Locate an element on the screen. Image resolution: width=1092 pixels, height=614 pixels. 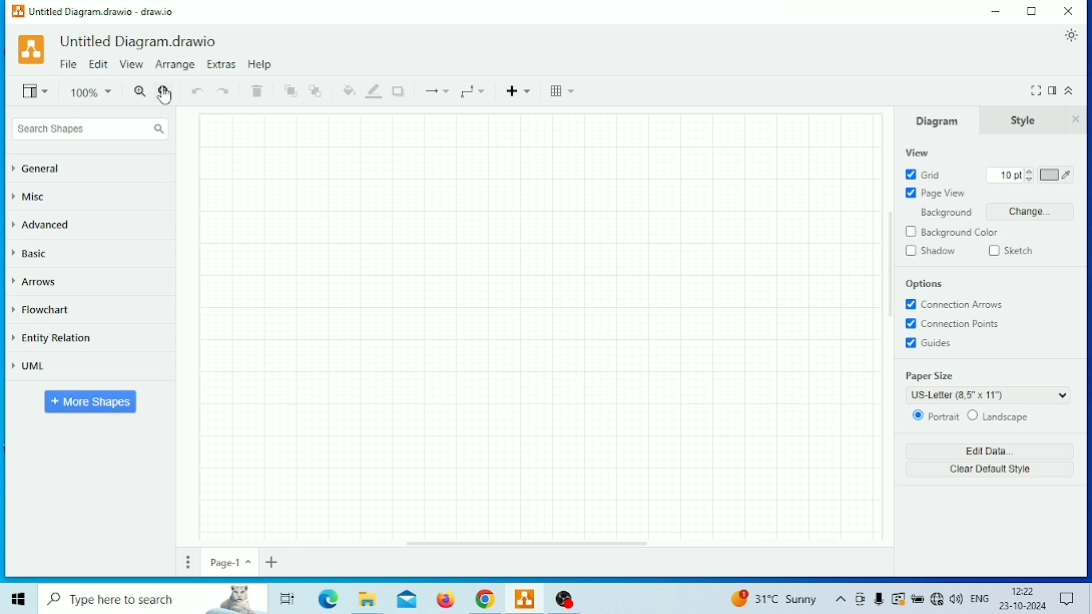
Zoom Out is located at coordinates (165, 94).